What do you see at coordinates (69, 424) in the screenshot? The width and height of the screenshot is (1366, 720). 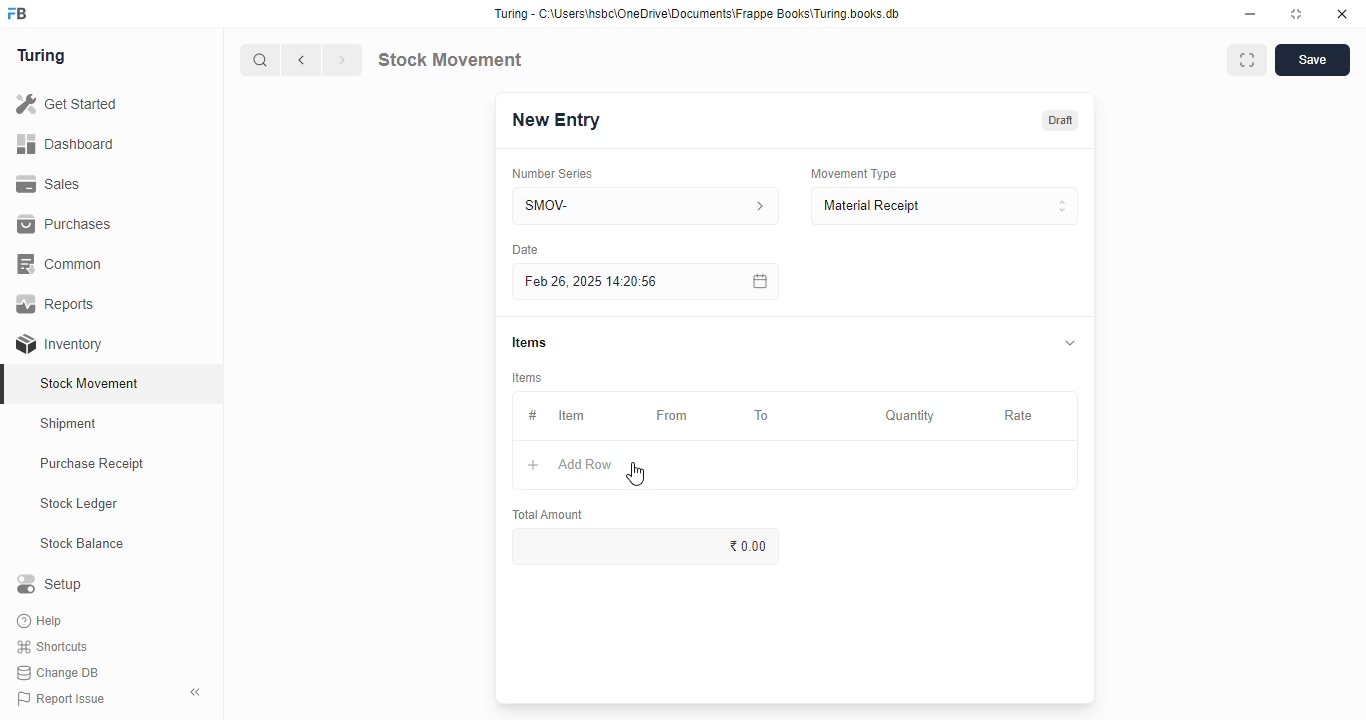 I see `shipment` at bounding box center [69, 424].